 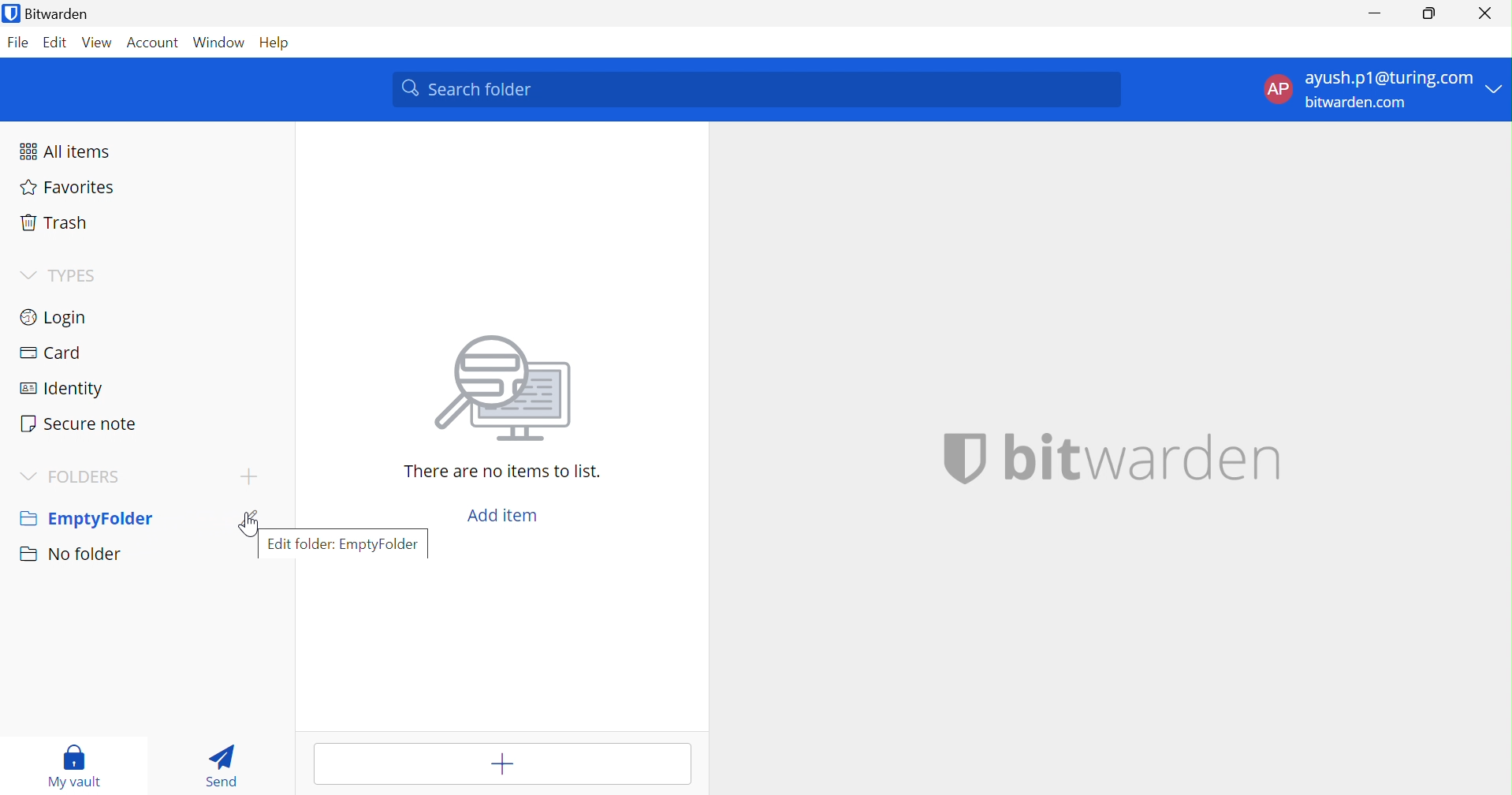 I want to click on Secure note, so click(x=78, y=424).